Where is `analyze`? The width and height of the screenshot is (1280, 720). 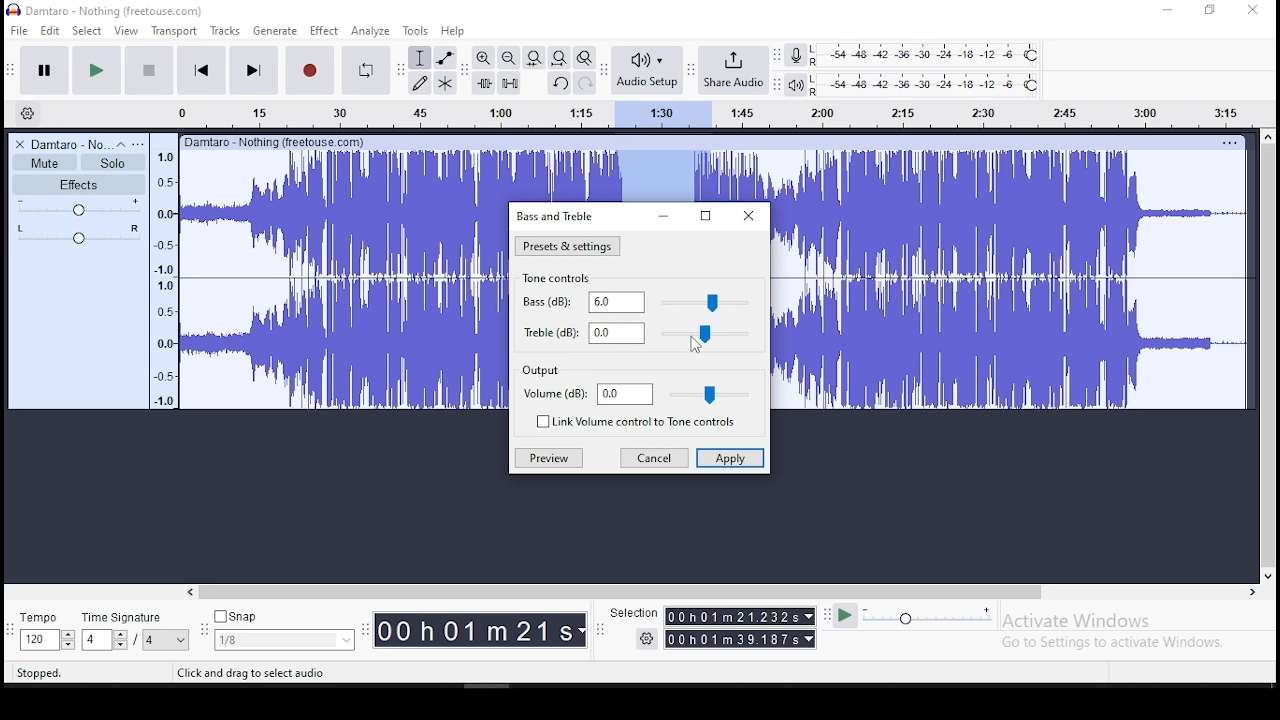
analyze is located at coordinates (371, 31).